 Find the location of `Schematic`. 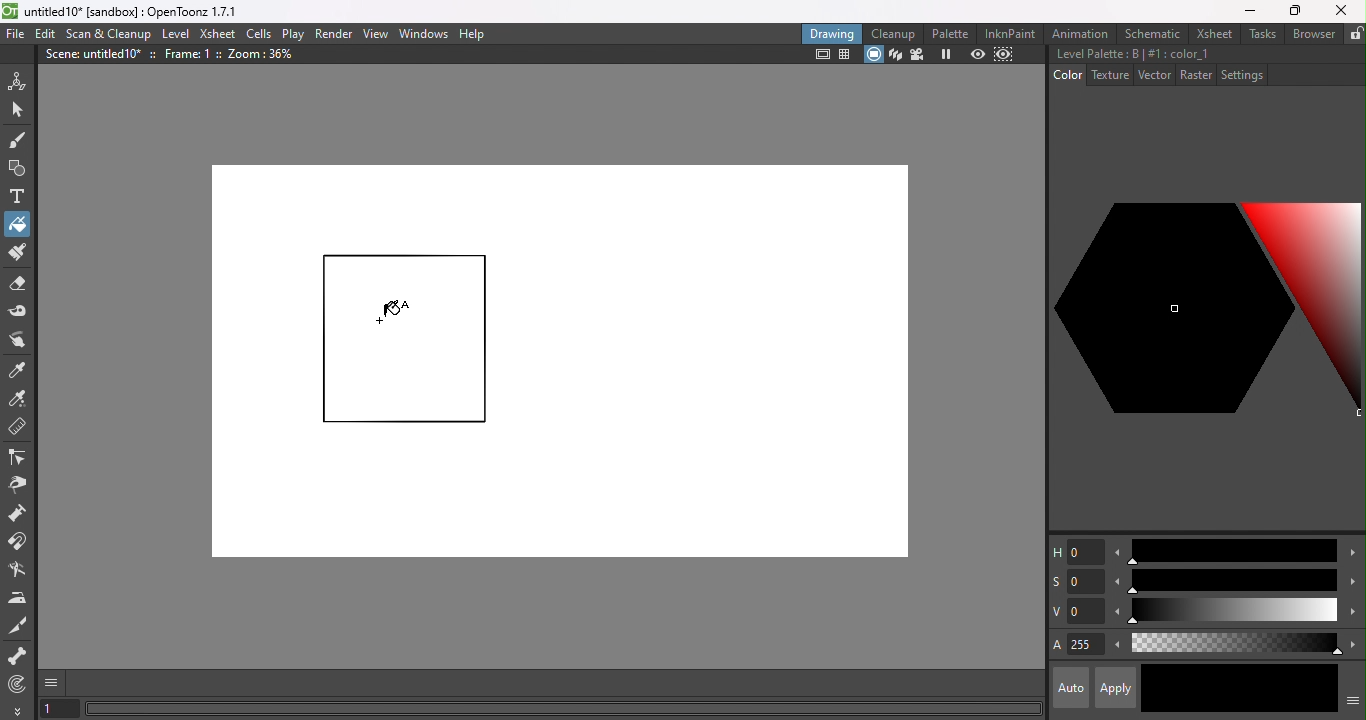

Schematic is located at coordinates (1151, 34).